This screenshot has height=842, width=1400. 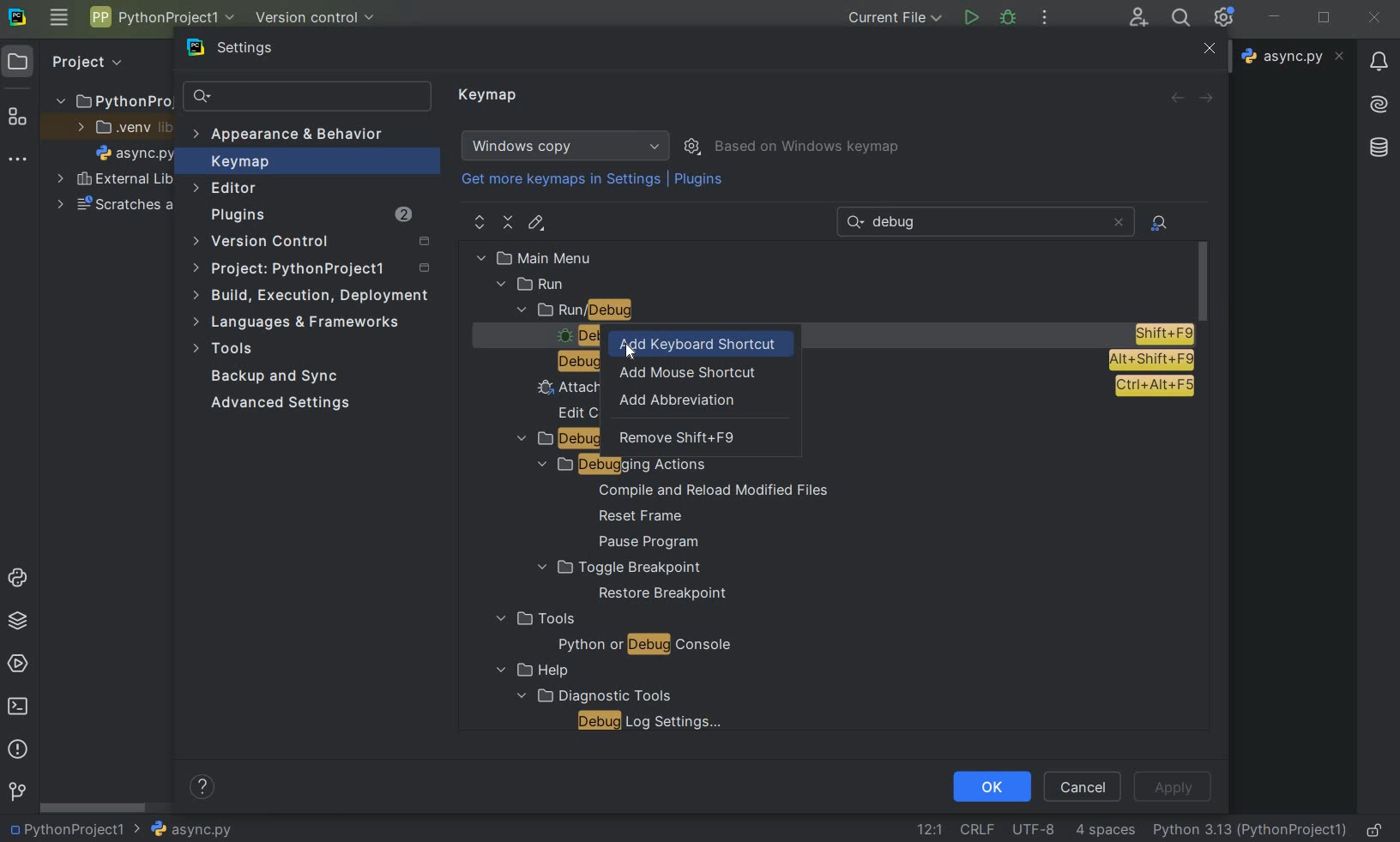 I want to click on edit shortcut, so click(x=535, y=223).